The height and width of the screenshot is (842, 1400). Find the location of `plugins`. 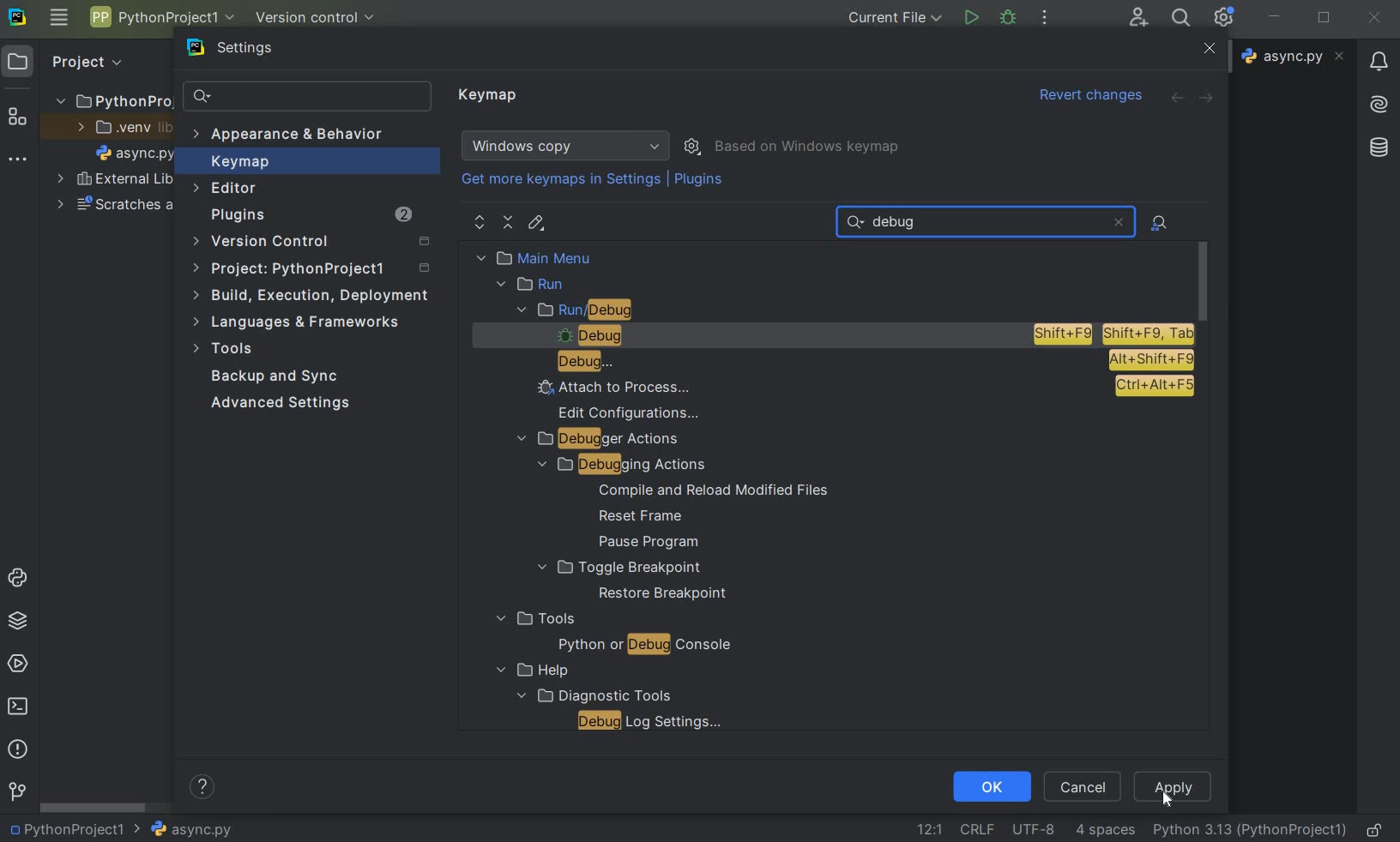

plugins is located at coordinates (701, 183).